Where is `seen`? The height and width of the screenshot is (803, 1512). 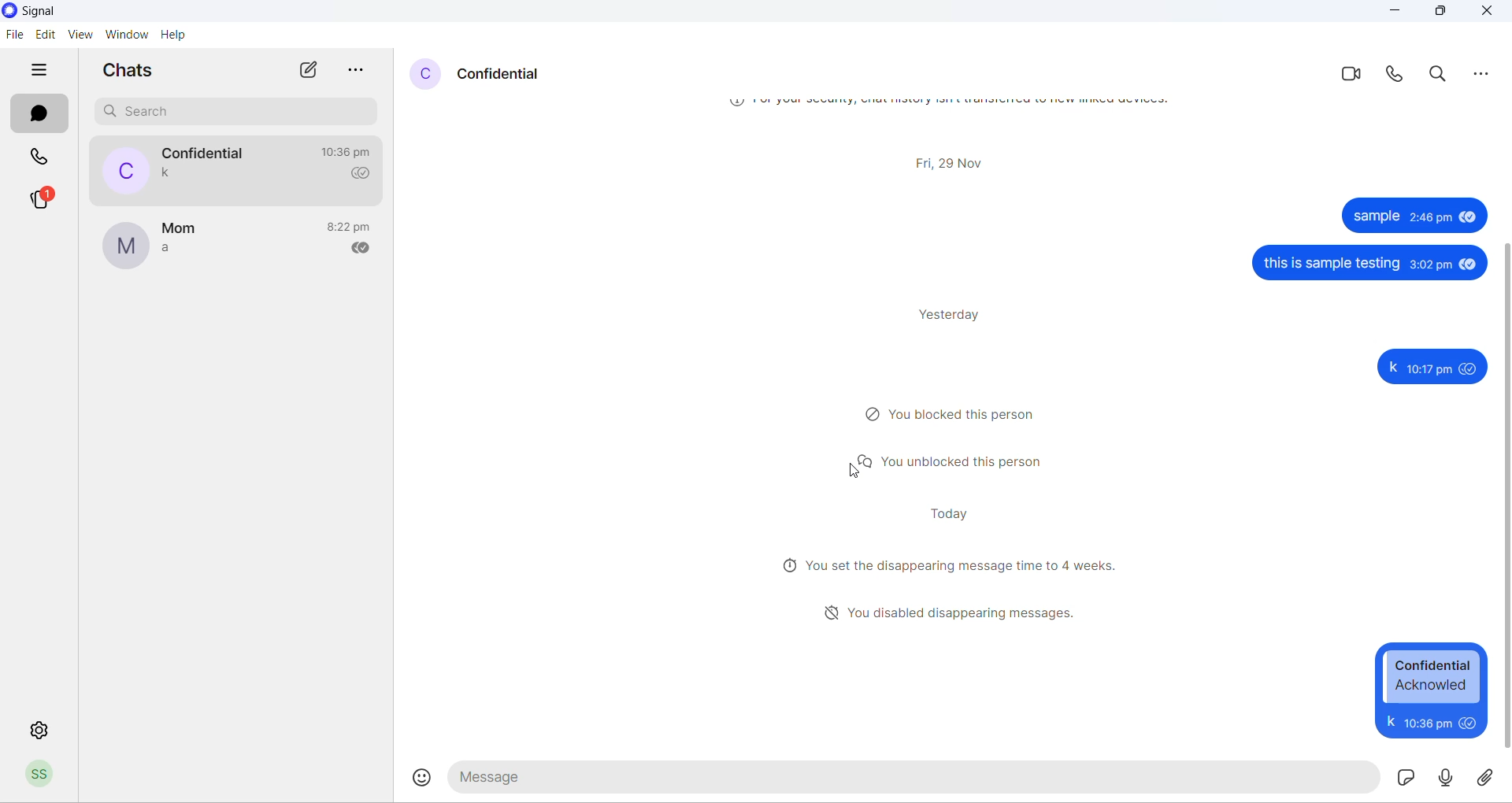 seen is located at coordinates (1472, 723).